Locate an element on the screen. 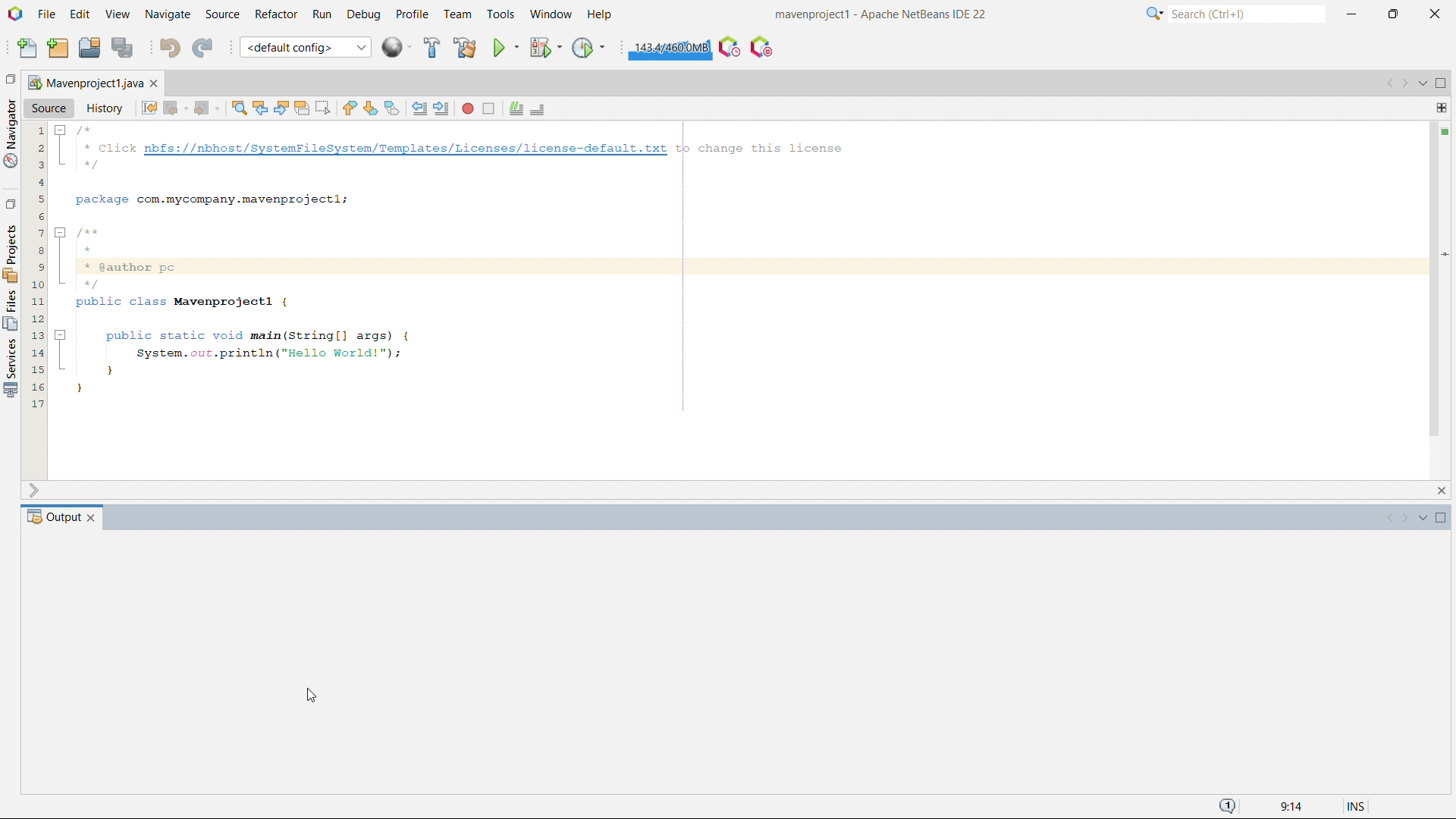  debug is located at coordinates (363, 15).